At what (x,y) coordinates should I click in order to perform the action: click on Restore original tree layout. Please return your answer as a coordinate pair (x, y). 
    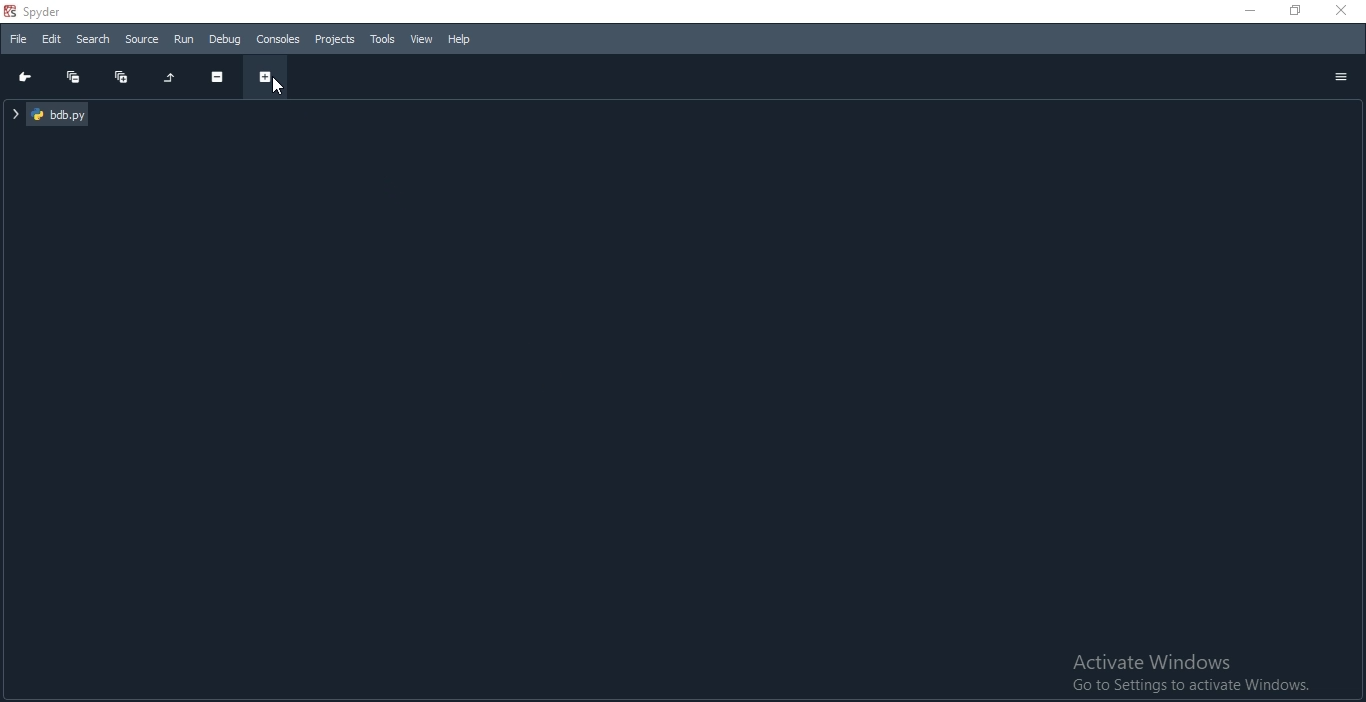
    Looking at the image, I should click on (169, 77).